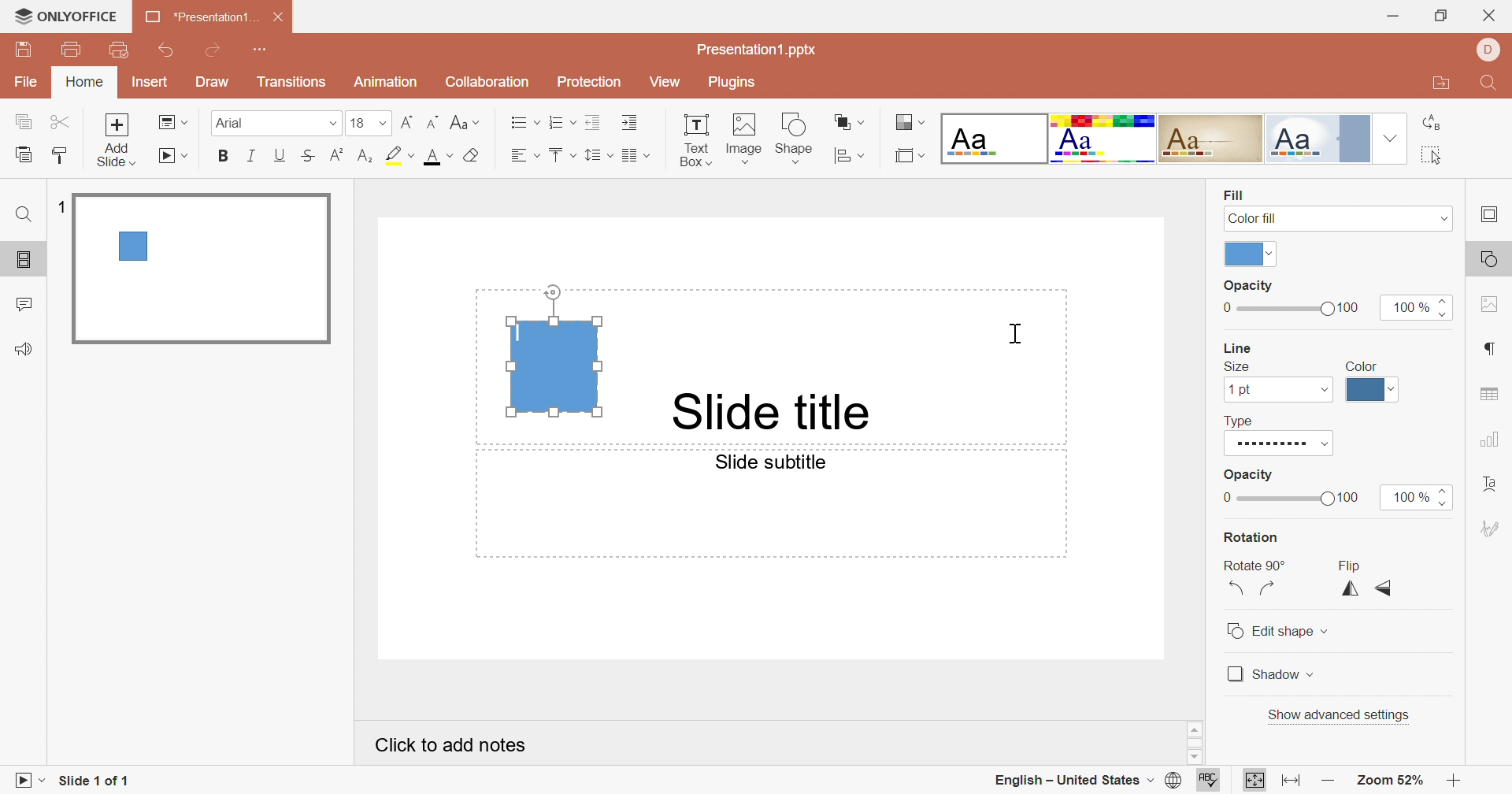 This screenshot has width=1512, height=794. Describe the element at coordinates (1270, 588) in the screenshot. I see `Rotate 90° clockwise` at that location.